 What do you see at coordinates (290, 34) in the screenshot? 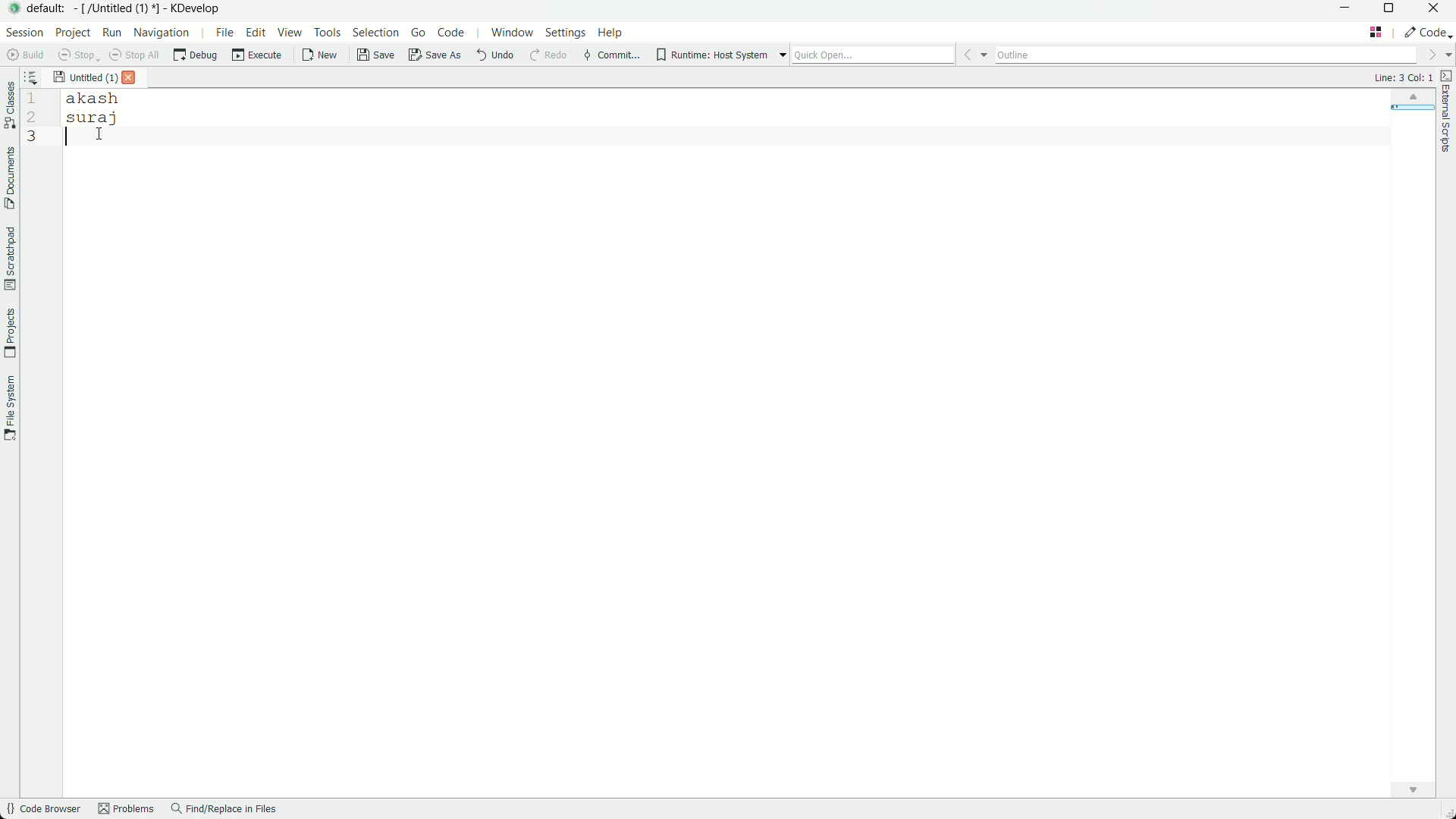
I see `view menu` at bounding box center [290, 34].